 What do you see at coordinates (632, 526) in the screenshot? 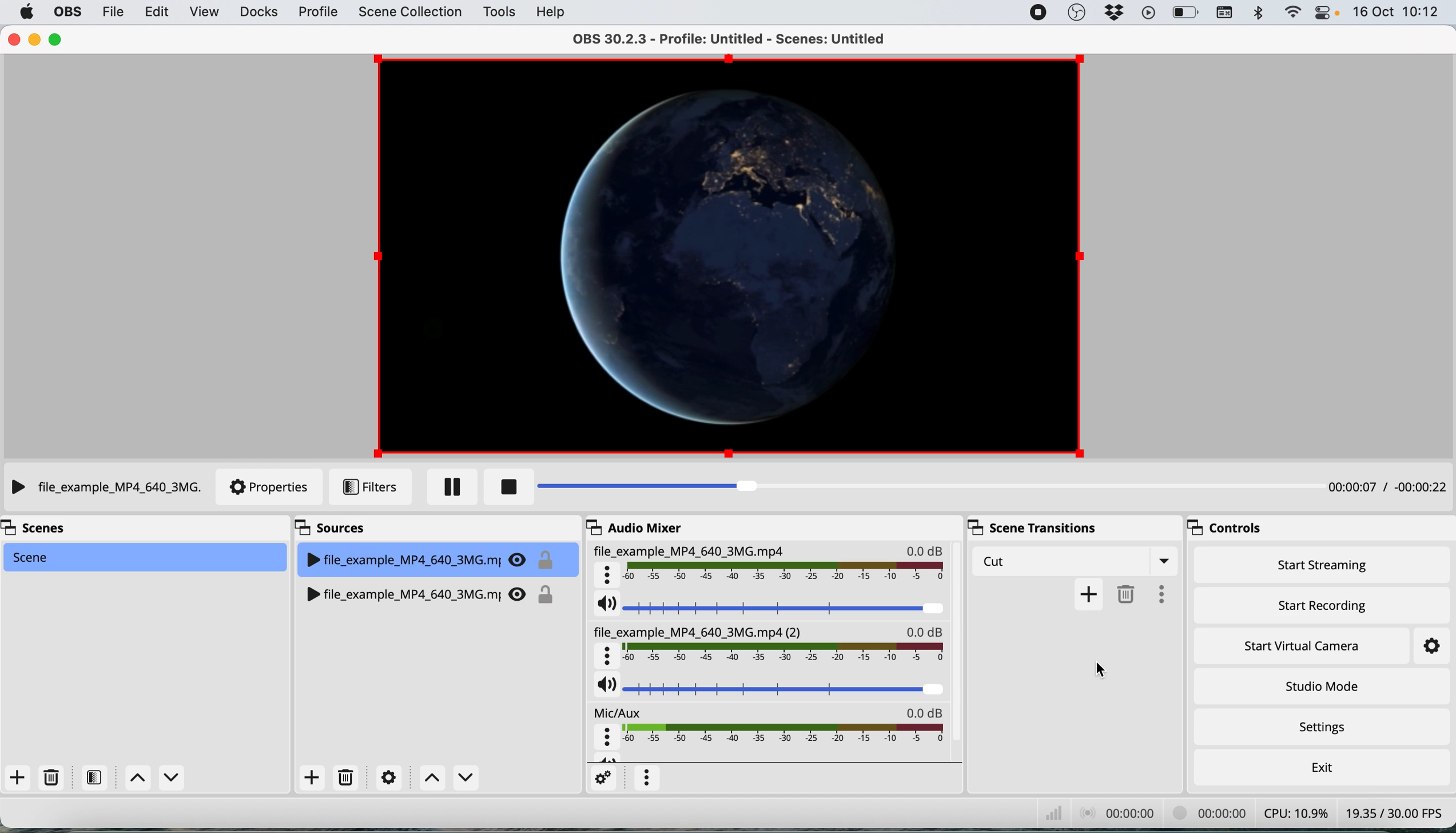
I see `audio mixer` at bounding box center [632, 526].